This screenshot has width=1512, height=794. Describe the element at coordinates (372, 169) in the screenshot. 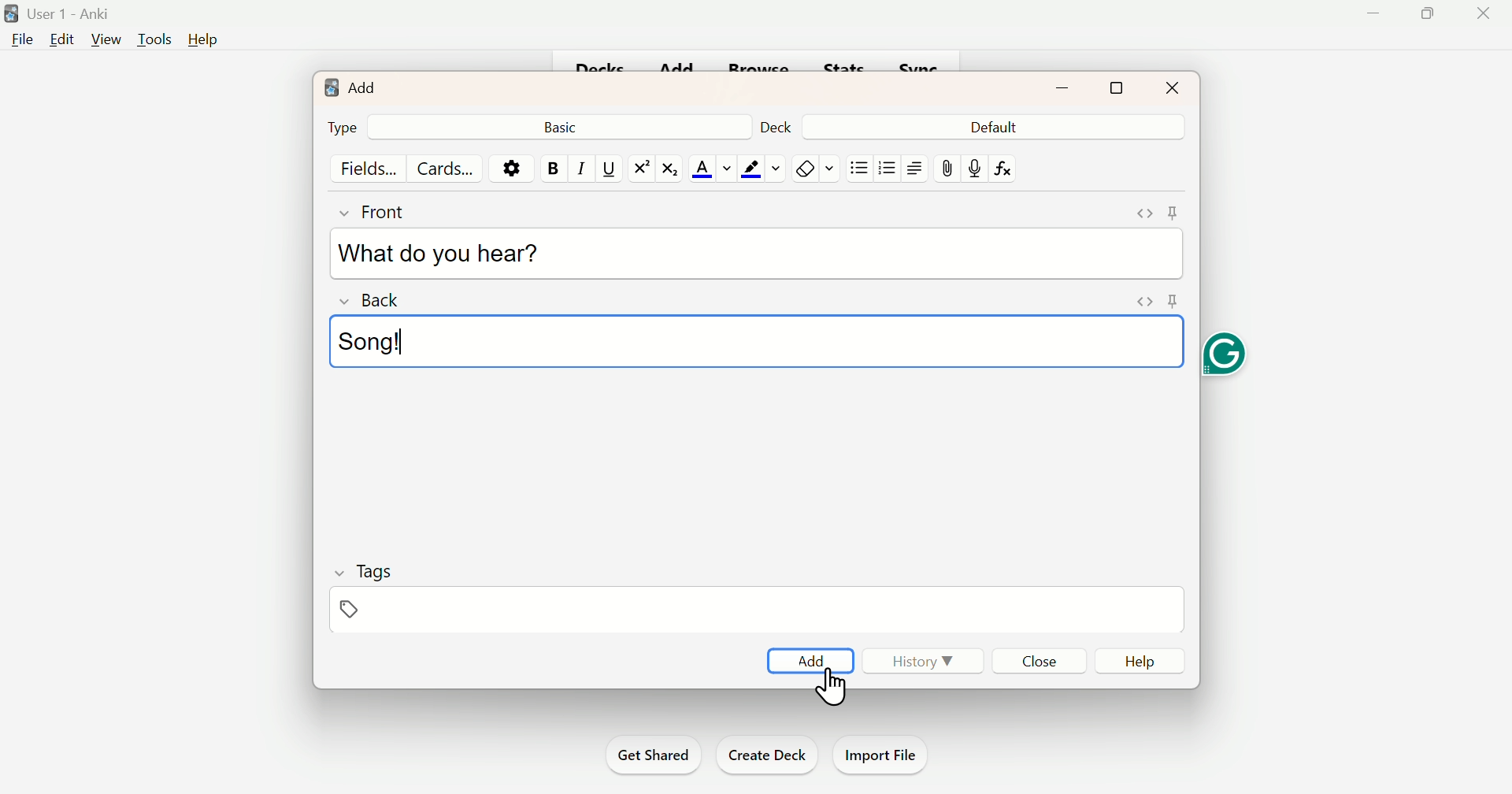

I see `Fields...` at that location.